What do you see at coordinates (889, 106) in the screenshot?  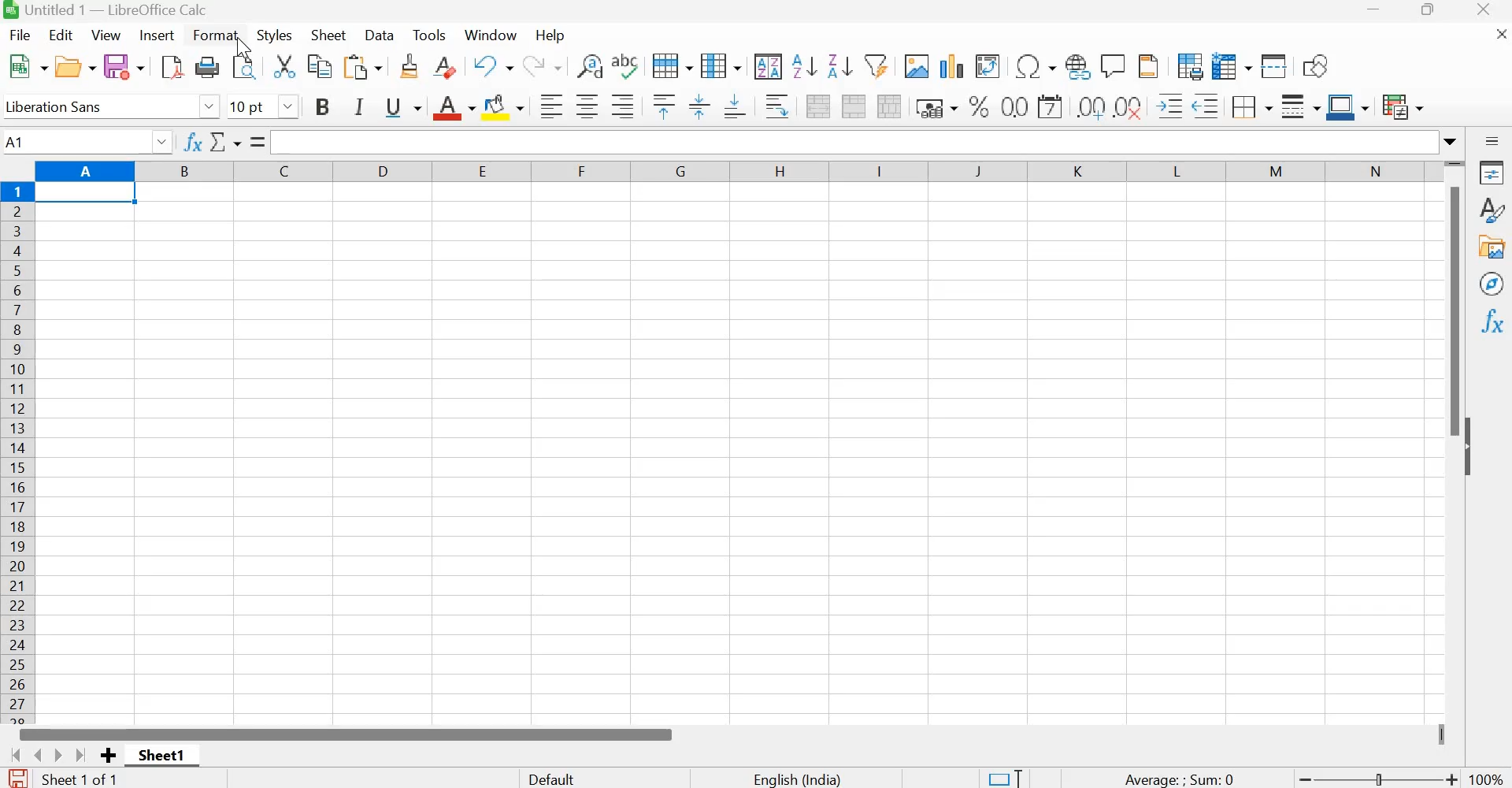 I see `Unmerge cells` at bounding box center [889, 106].